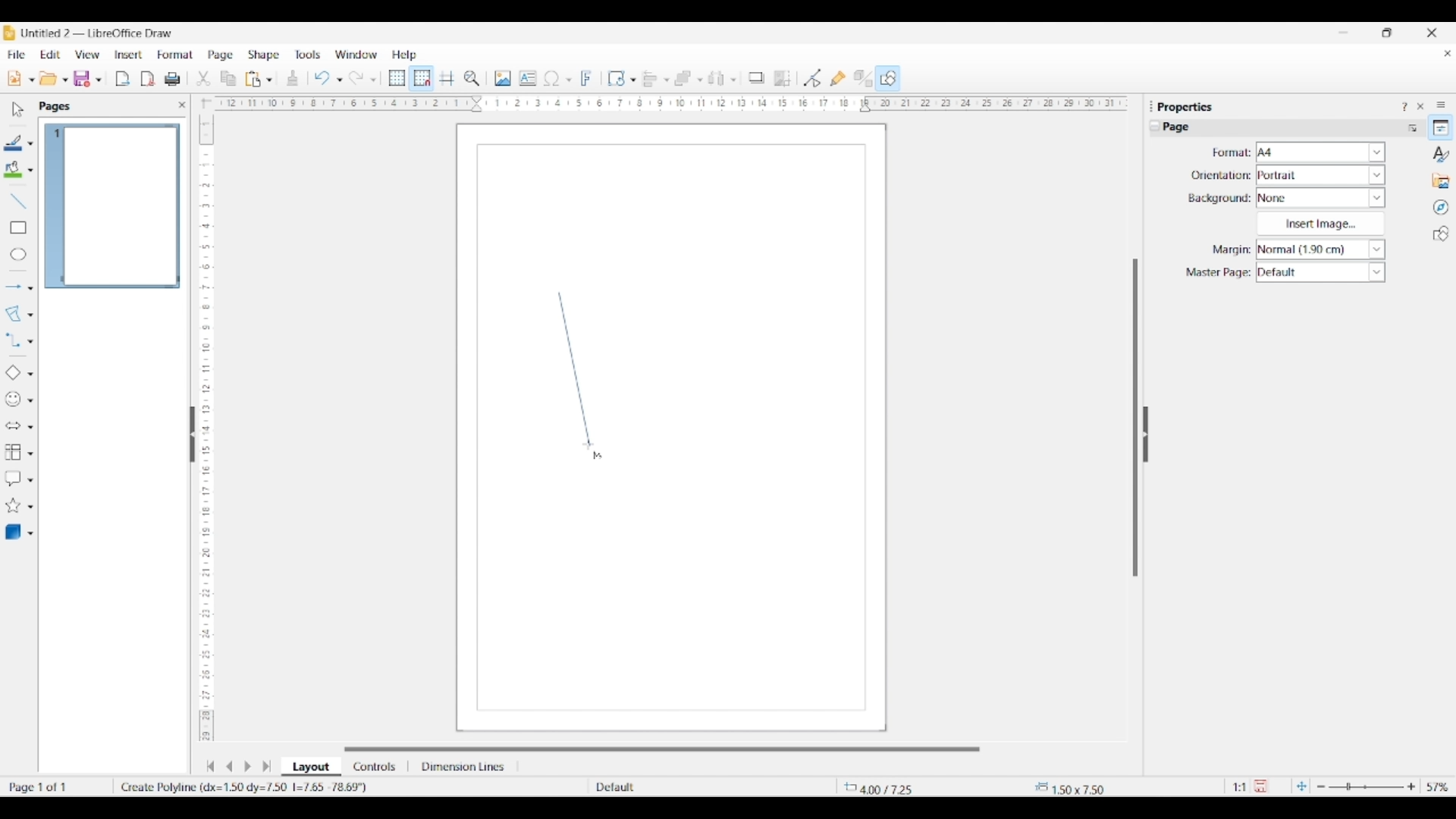 The image size is (1456, 819). What do you see at coordinates (733, 80) in the screenshot?
I see `Select objects to distribute options` at bounding box center [733, 80].